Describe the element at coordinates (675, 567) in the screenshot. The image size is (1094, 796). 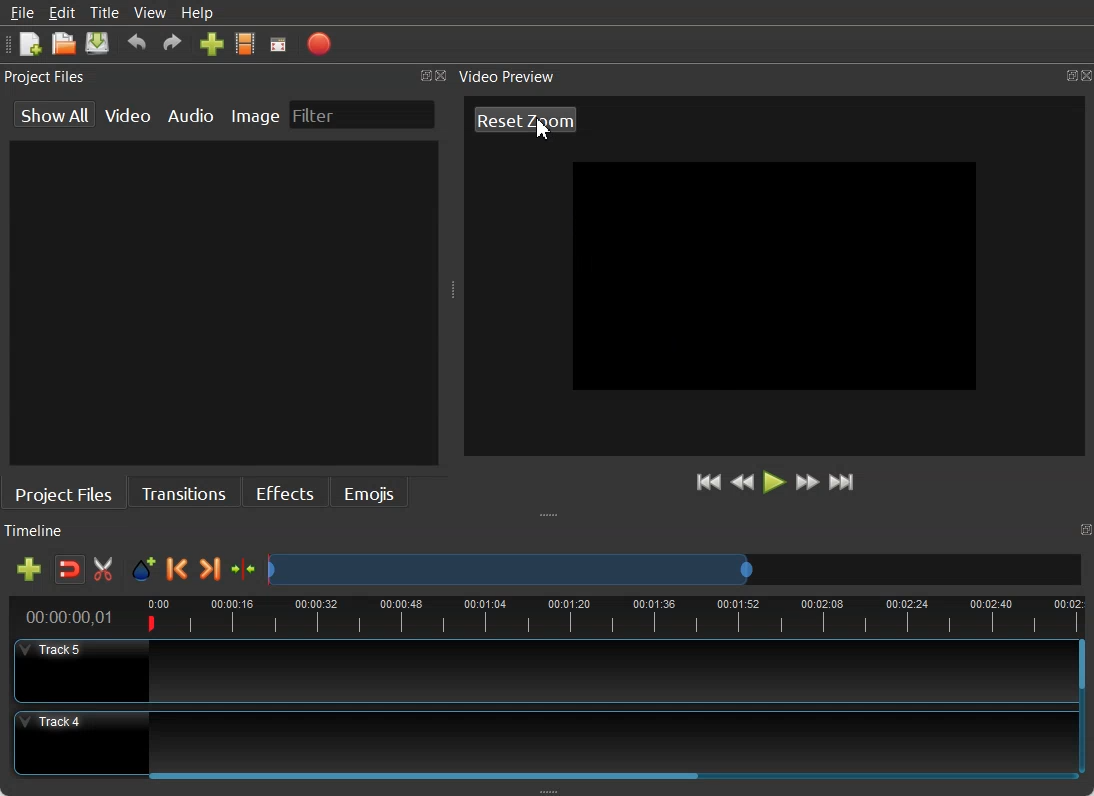
I see `Slider` at that location.